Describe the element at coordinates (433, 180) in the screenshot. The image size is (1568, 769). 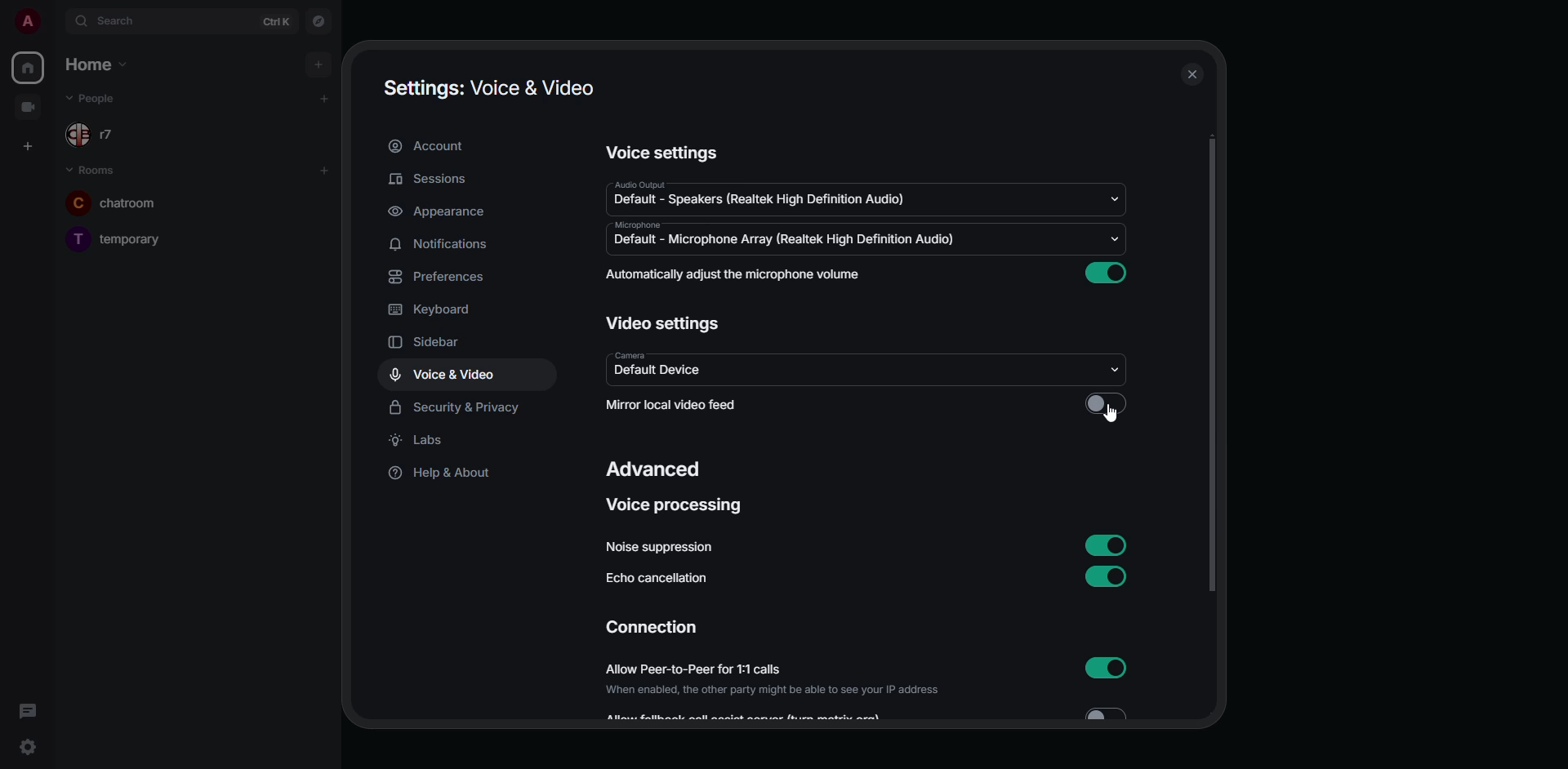
I see `sessions` at that location.